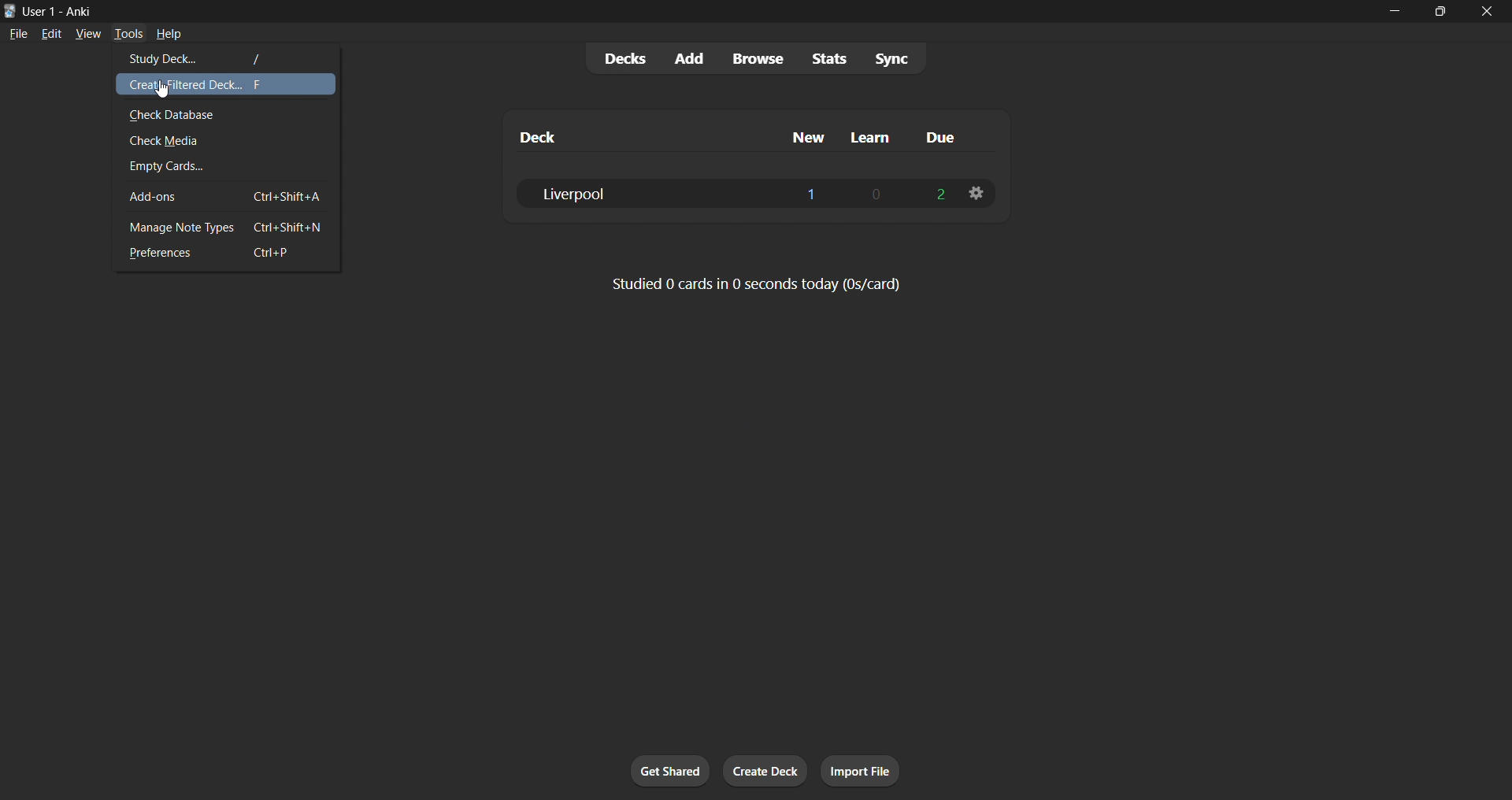 This screenshot has height=800, width=1512. Describe the element at coordinates (224, 254) in the screenshot. I see `preferences` at that location.